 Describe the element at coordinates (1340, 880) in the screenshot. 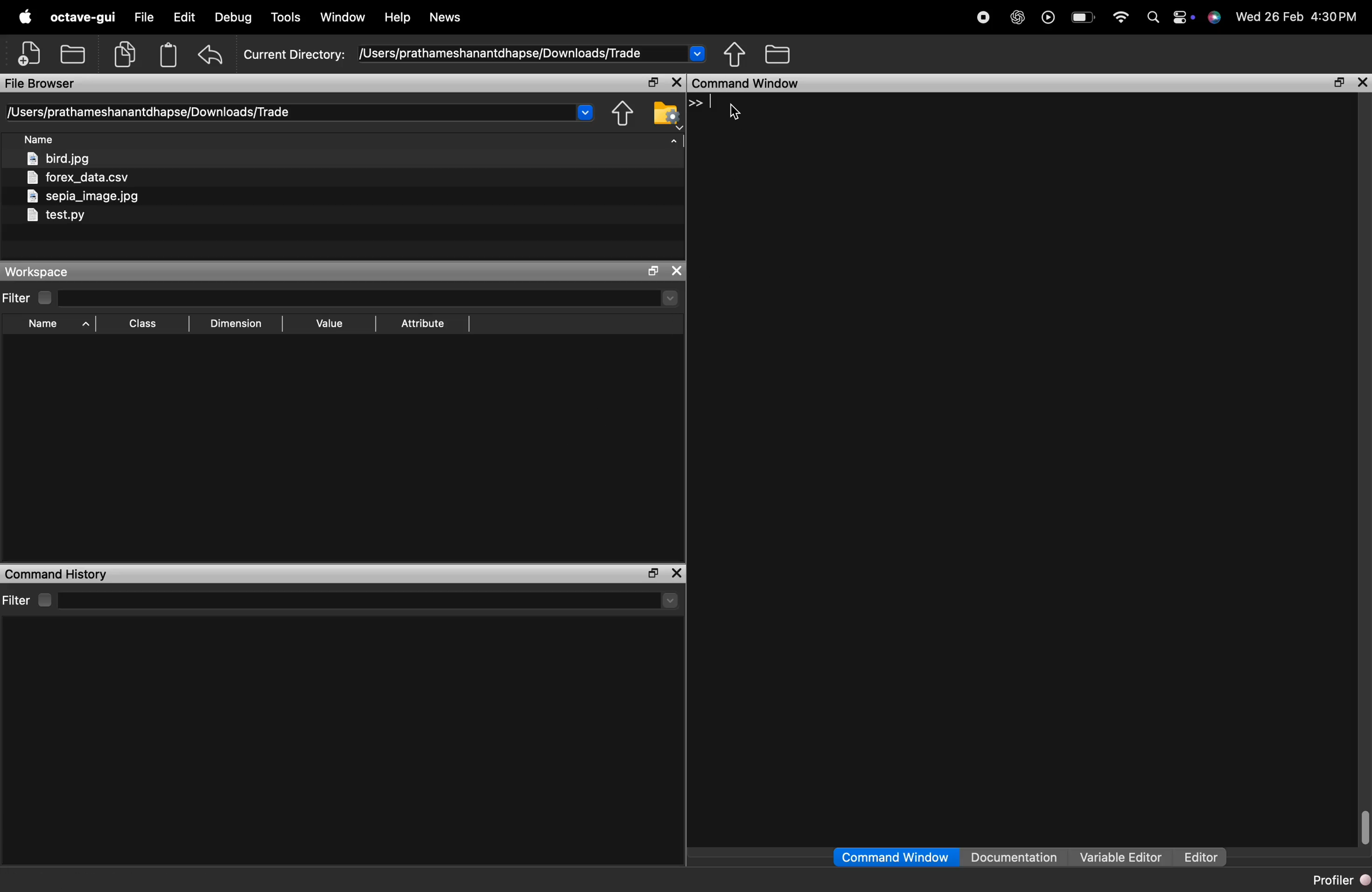

I see `Profiler` at that location.